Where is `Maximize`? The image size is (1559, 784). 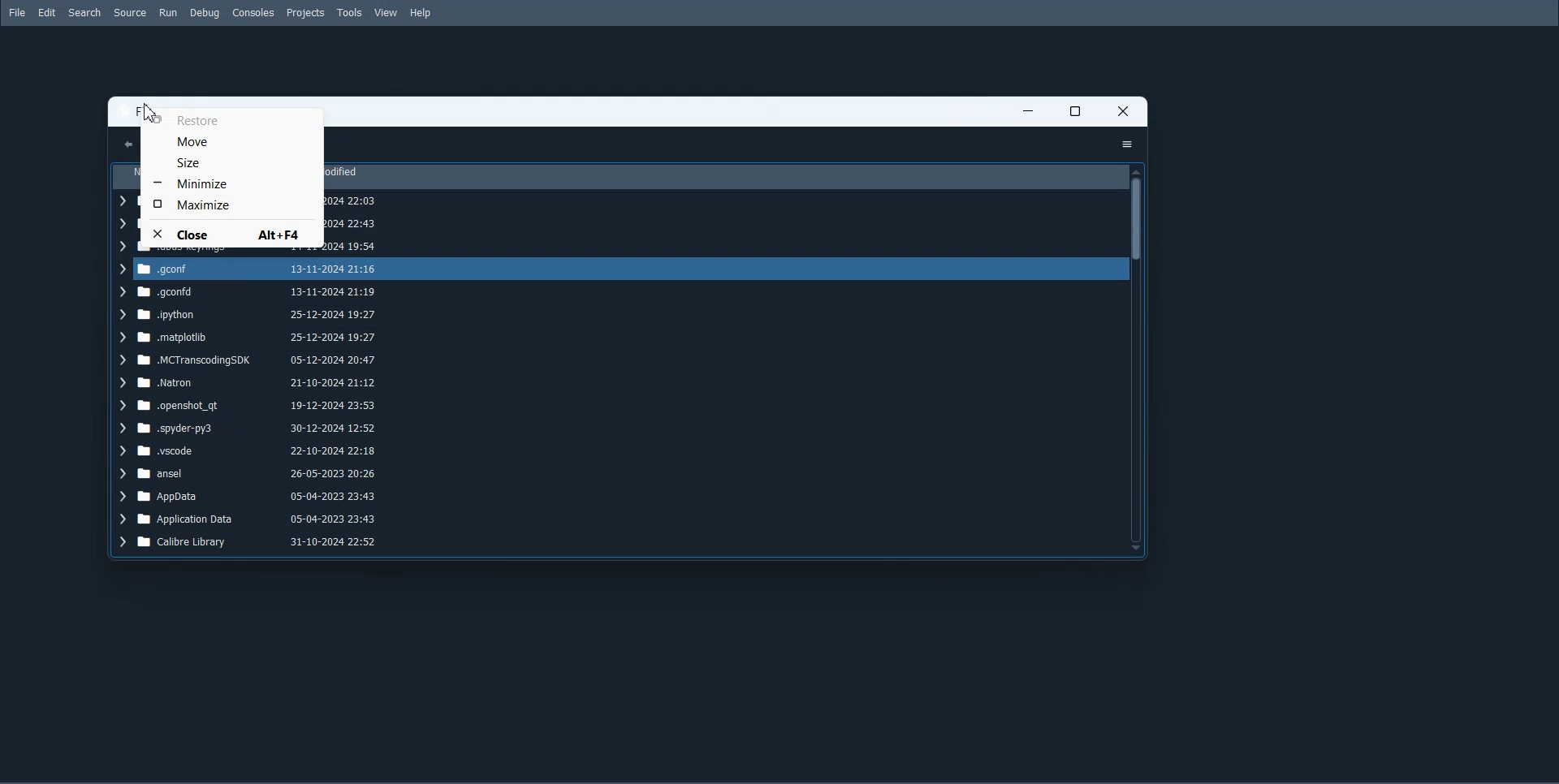 Maximize is located at coordinates (231, 205).